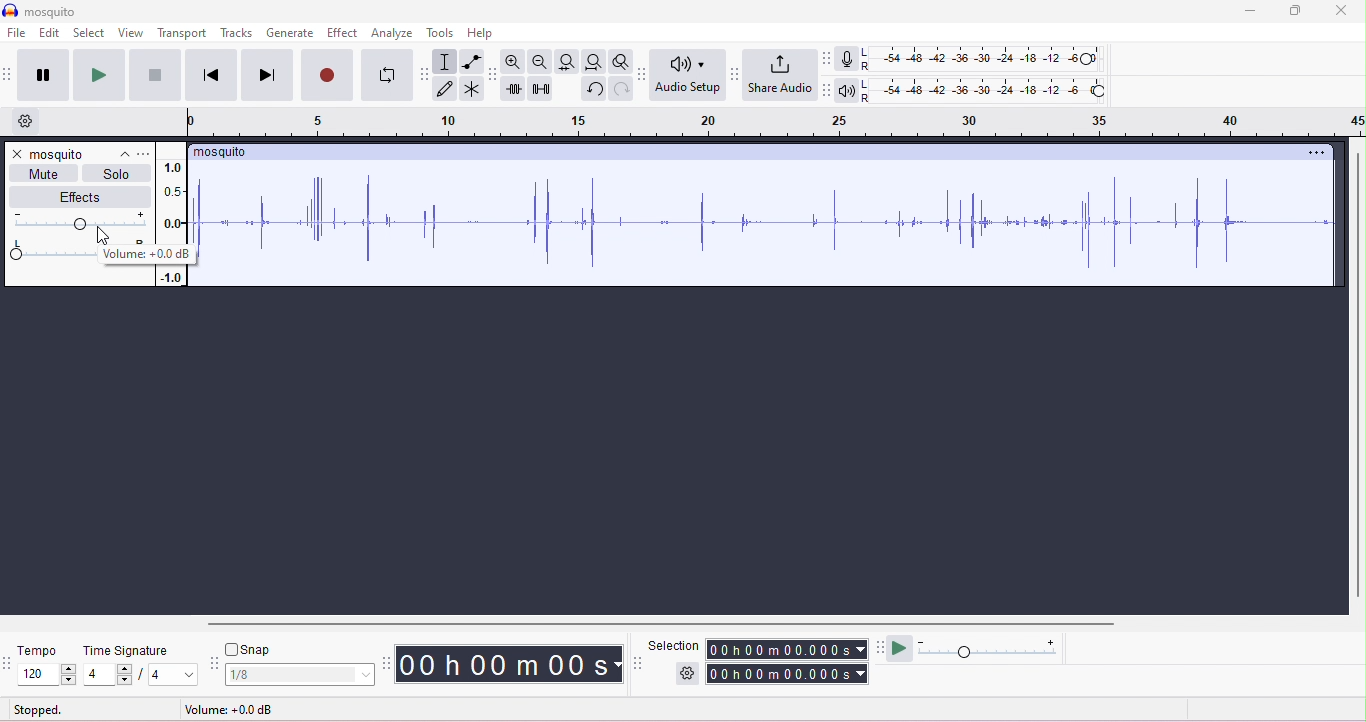 Image resolution: width=1366 pixels, height=722 pixels. What do you see at coordinates (482, 34) in the screenshot?
I see `help` at bounding box center [482, 34].